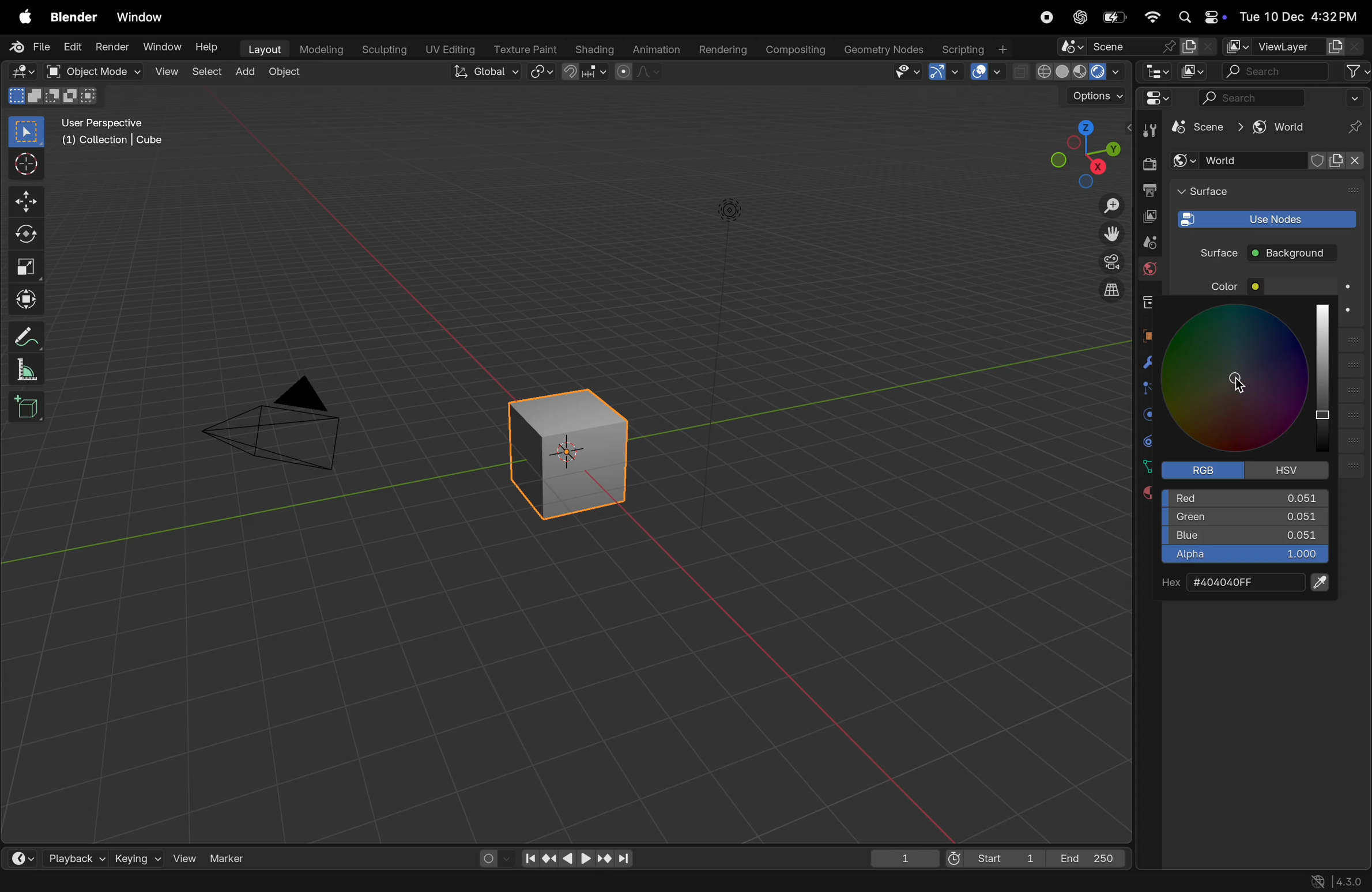  Describe the element at coordinates (492, 857) in the screenshot. I see `auto keying` at that location.